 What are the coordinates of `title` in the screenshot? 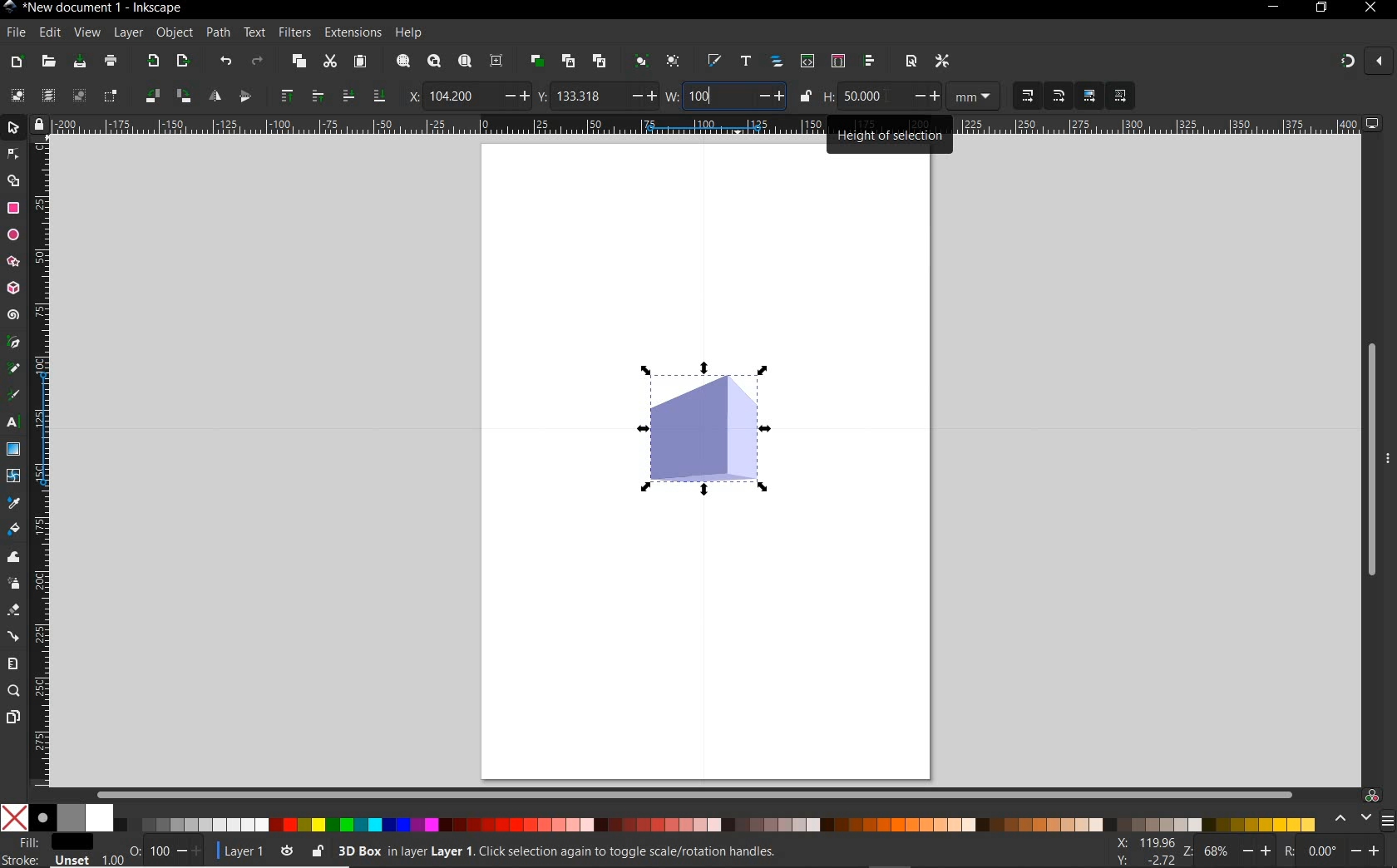 It's located at (102, 10).